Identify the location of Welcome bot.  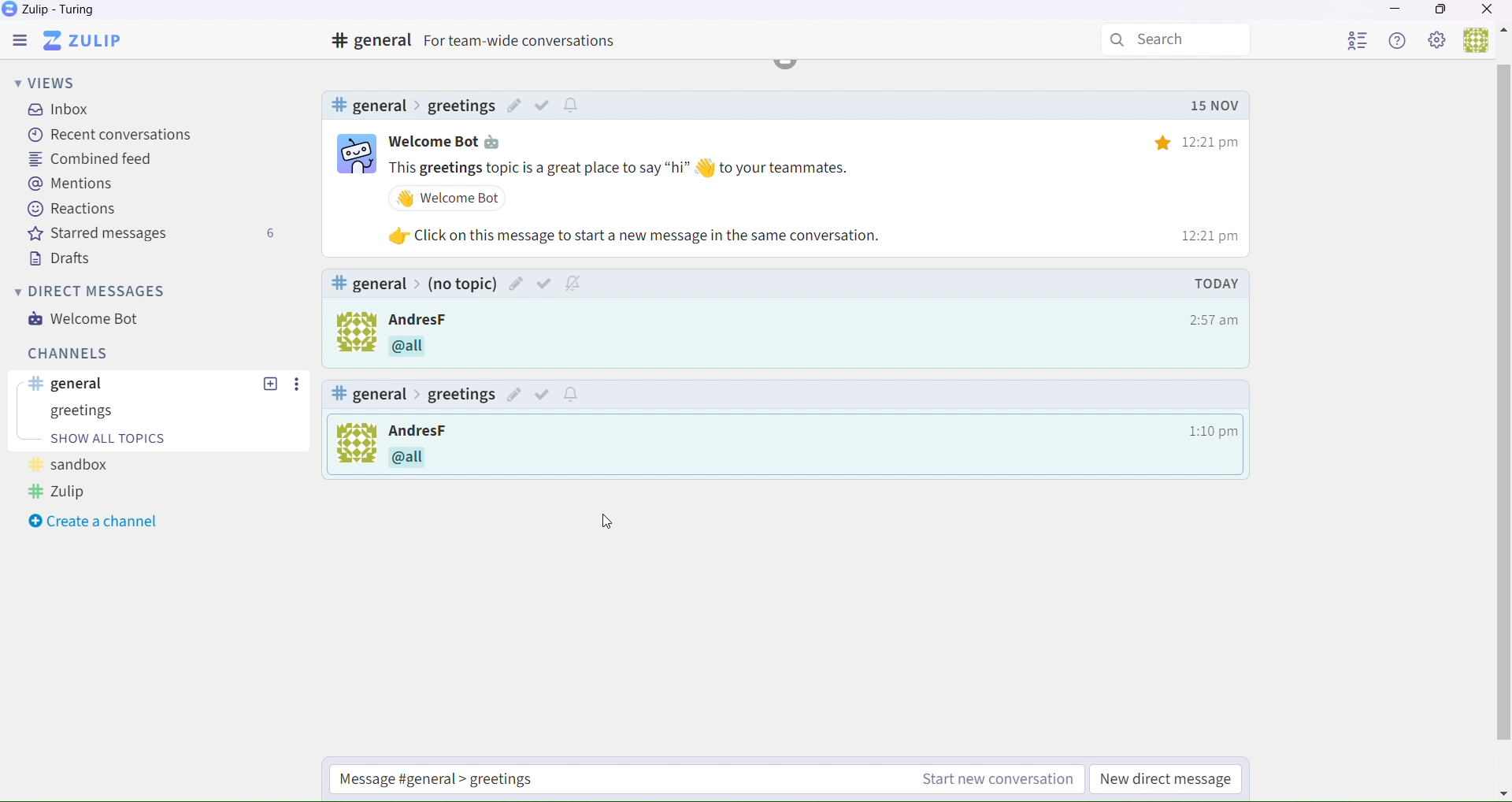
(448, 140).